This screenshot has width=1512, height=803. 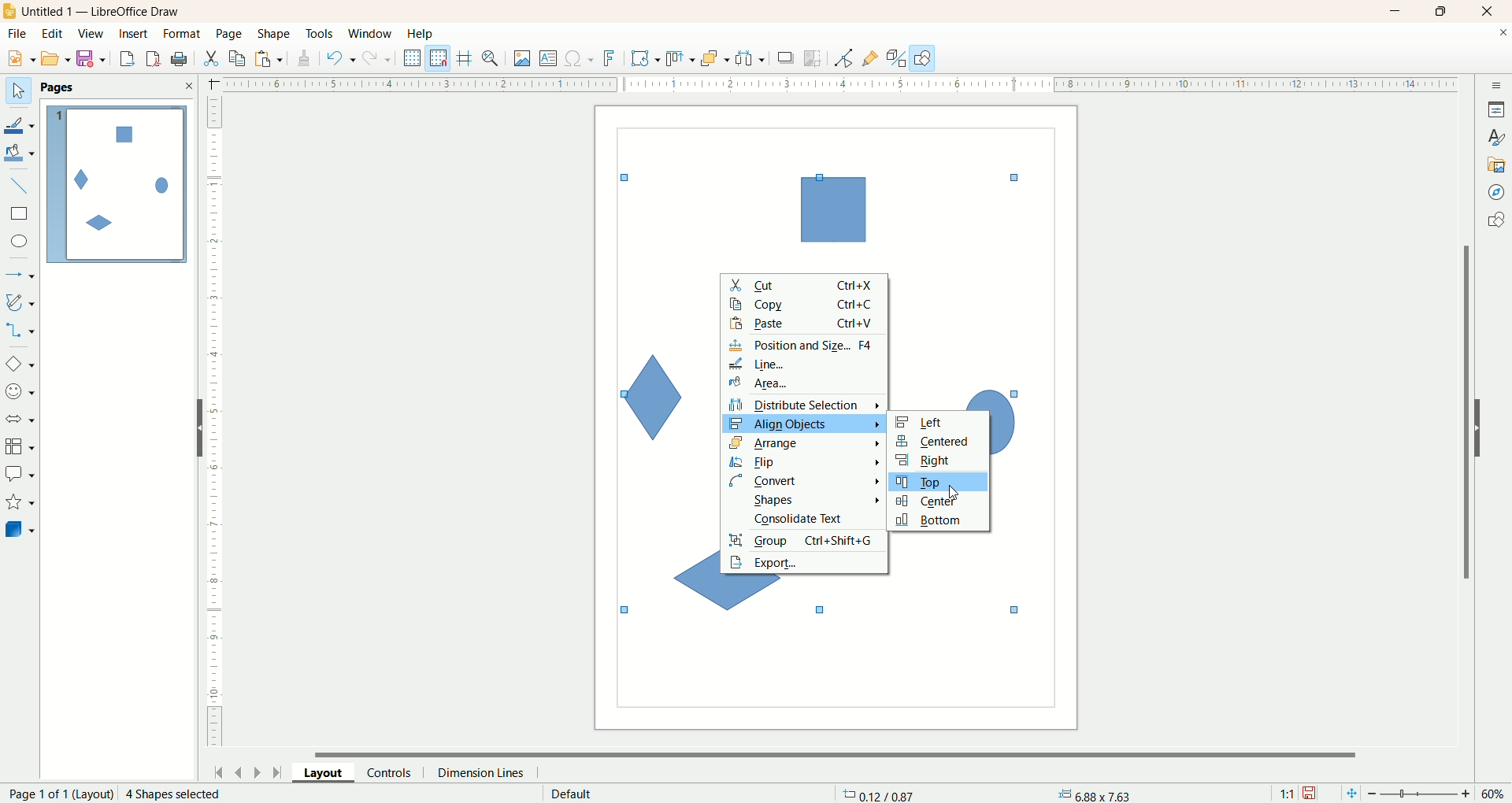 What do you see at coordinates (305, 56) in the screenshot?
I see `clone formatting` at bounding box center [305, 56].